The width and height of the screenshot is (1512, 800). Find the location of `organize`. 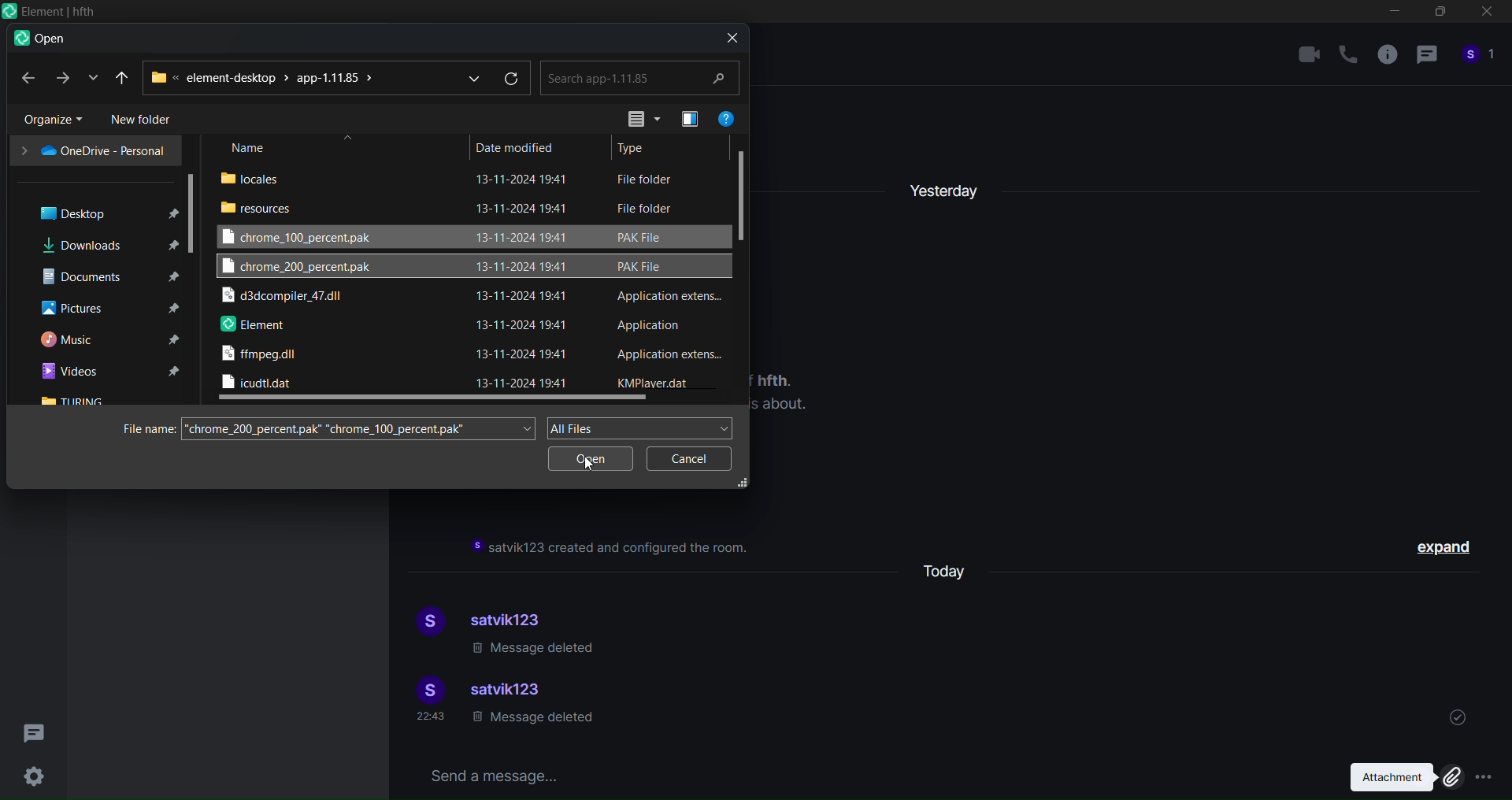

organize is located at coordinates (46, 119).